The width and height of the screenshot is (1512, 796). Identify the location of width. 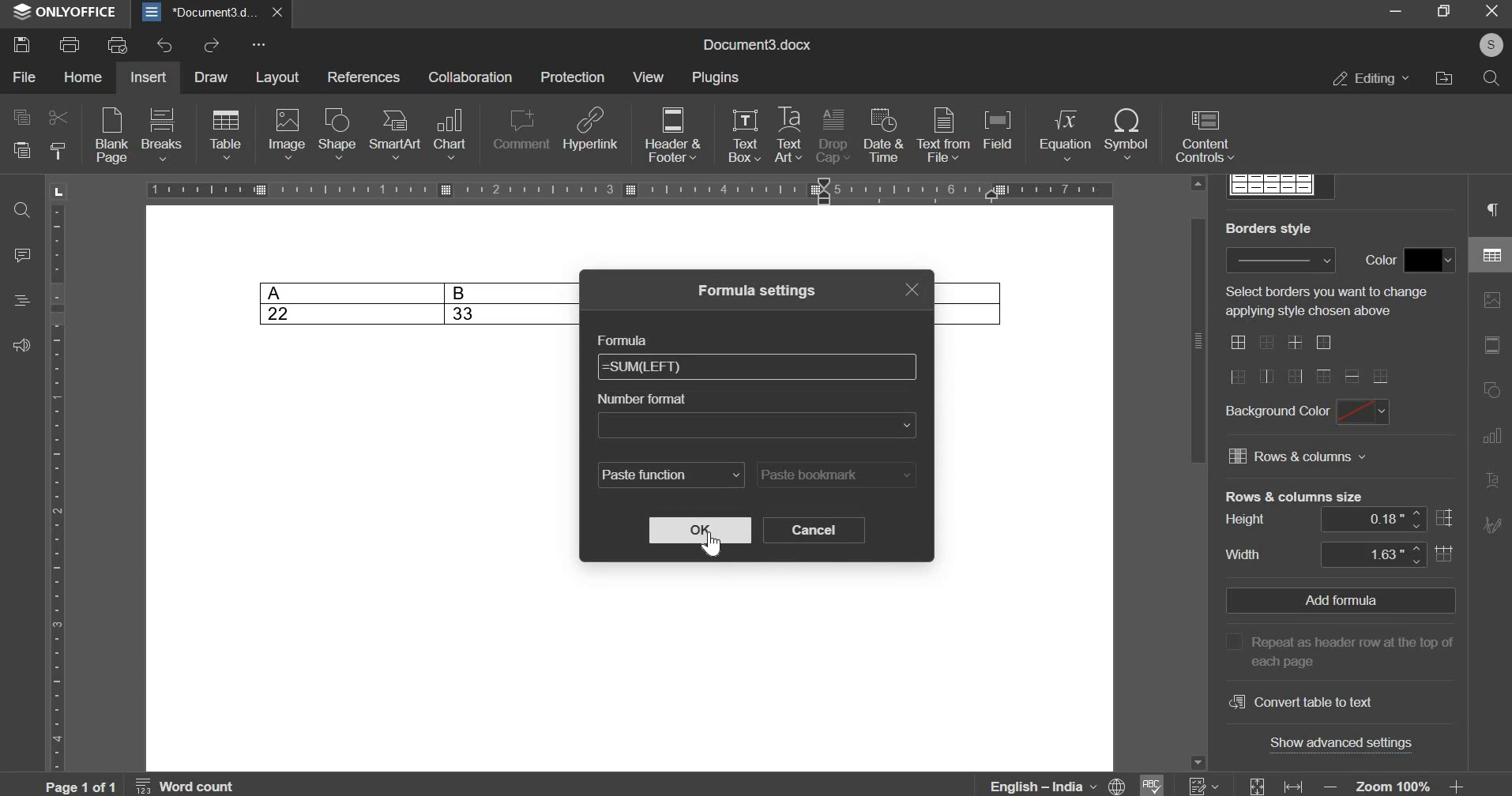
(1387, 554).